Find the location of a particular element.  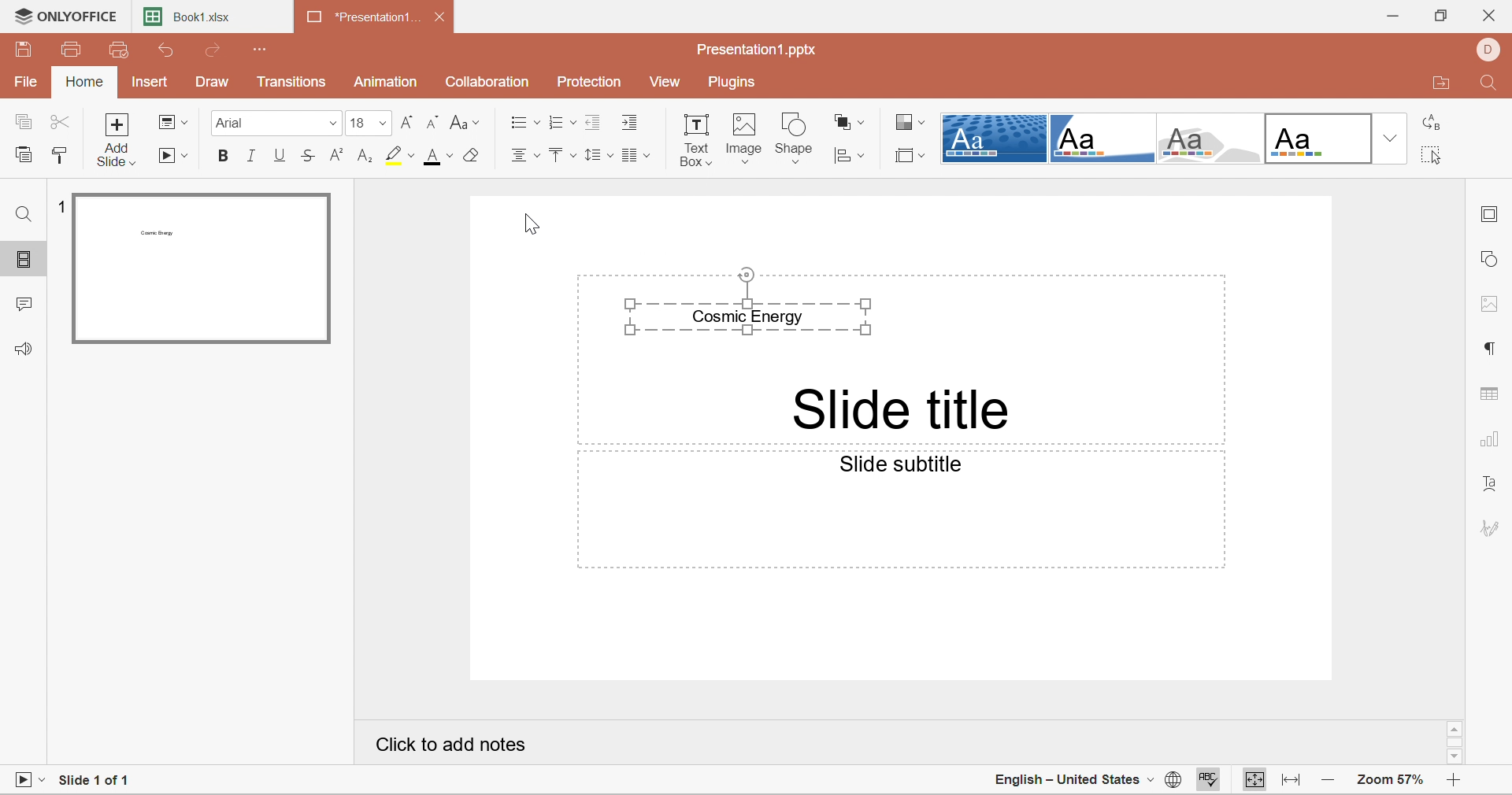

Presentation1.pptx is located at coordinates (762, 52).